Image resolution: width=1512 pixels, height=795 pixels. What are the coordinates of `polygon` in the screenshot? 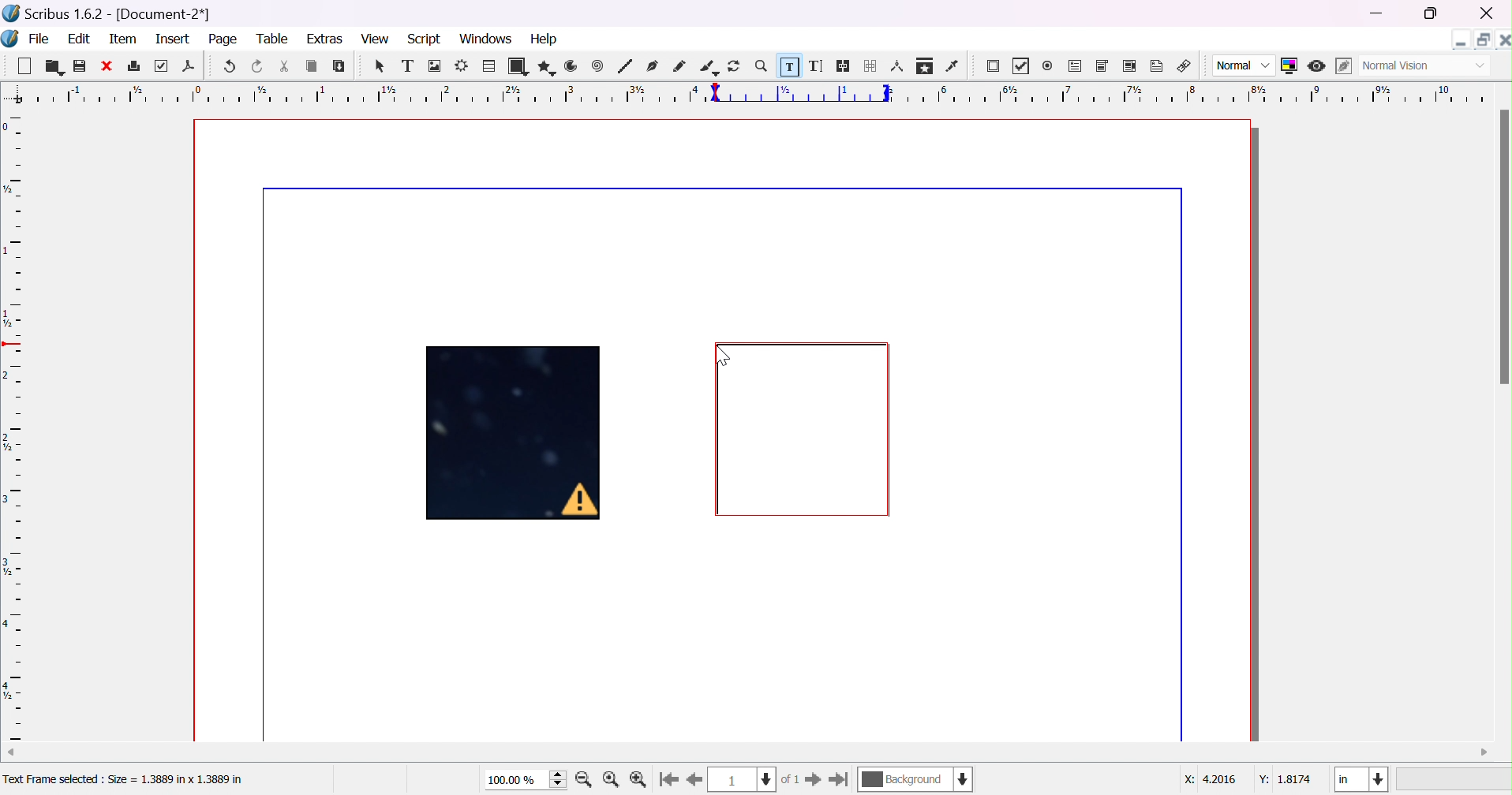 It's located at (545, 66).